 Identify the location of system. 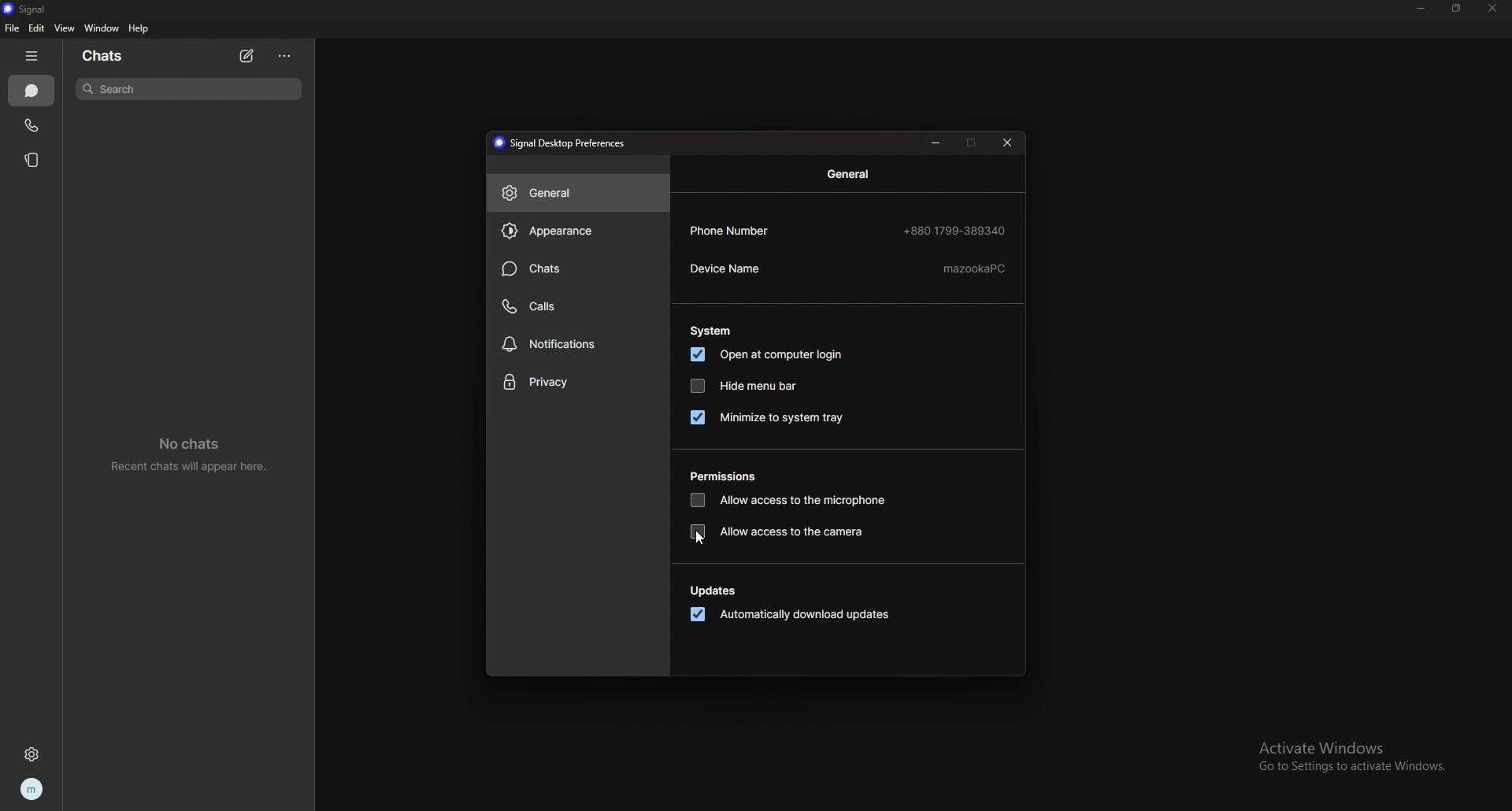
(711, 331).